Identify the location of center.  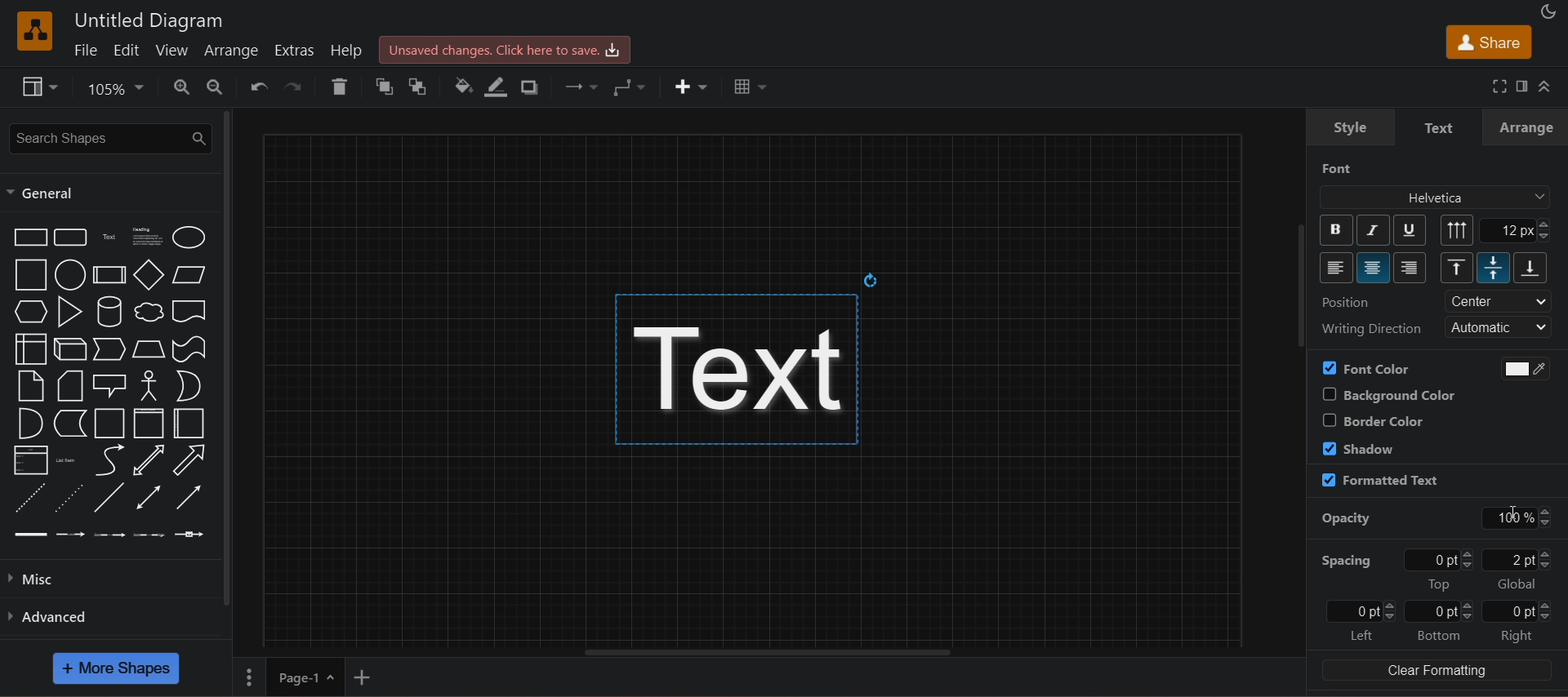
(1499, 301).